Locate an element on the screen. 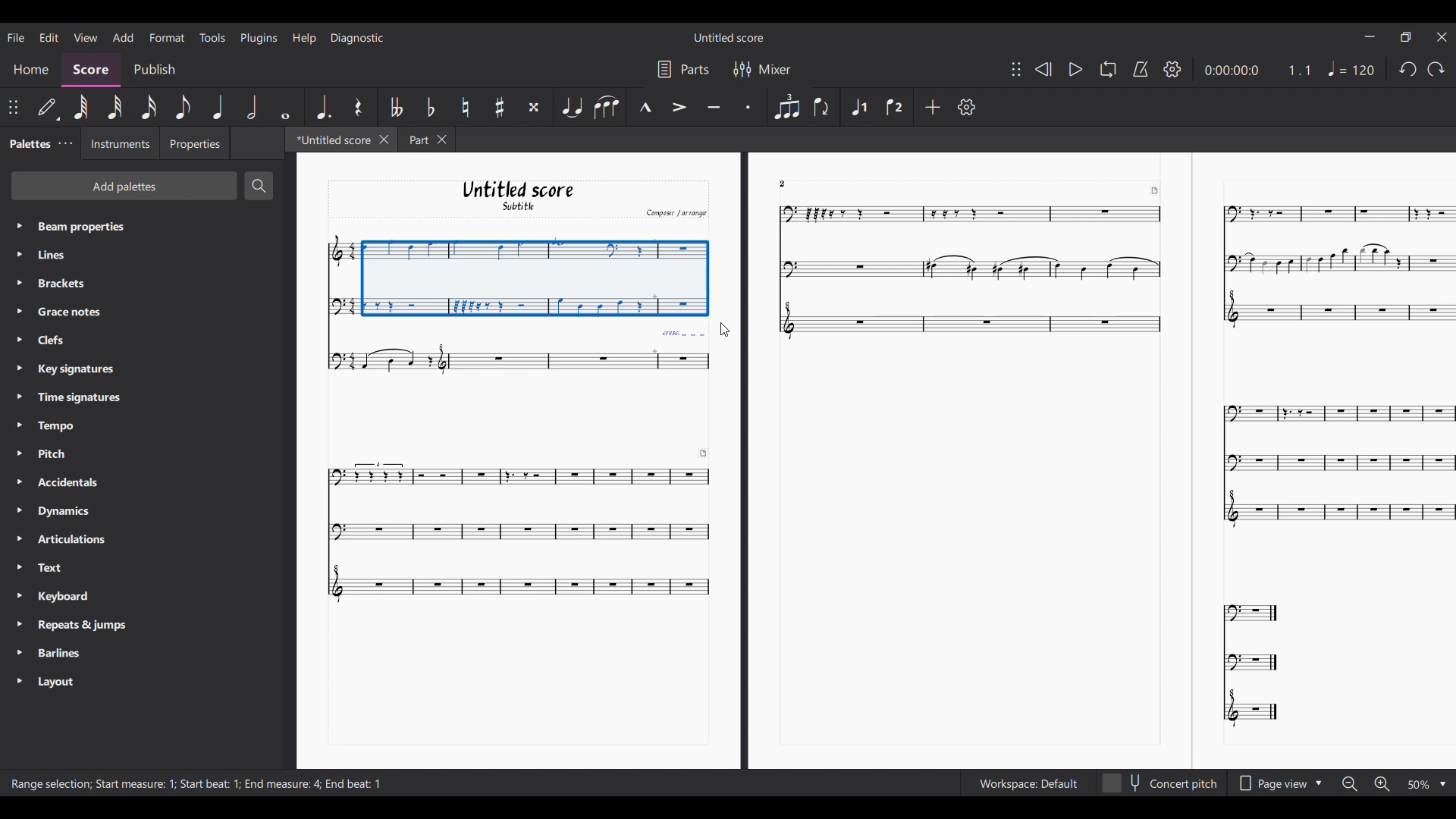  Pitch is located at coordinates (63, 453).